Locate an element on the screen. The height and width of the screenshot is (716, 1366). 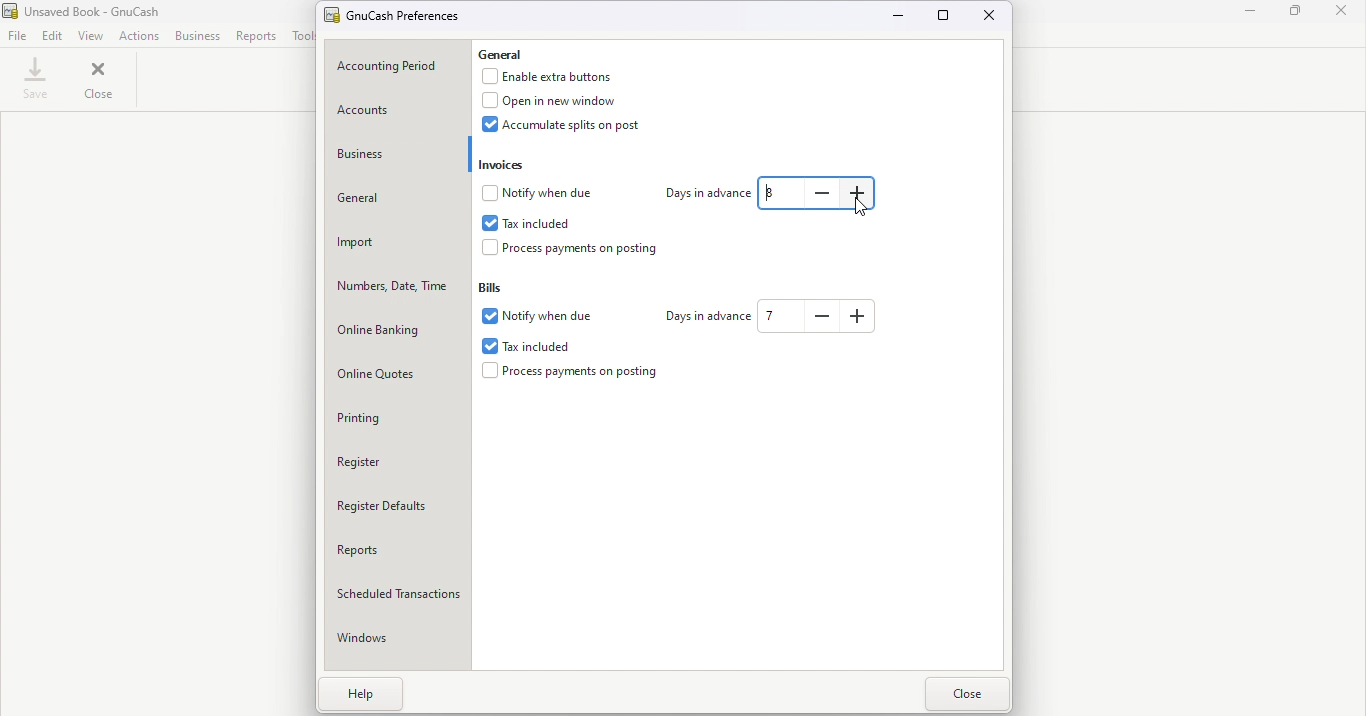
Save is located at coordinates (33, 82).